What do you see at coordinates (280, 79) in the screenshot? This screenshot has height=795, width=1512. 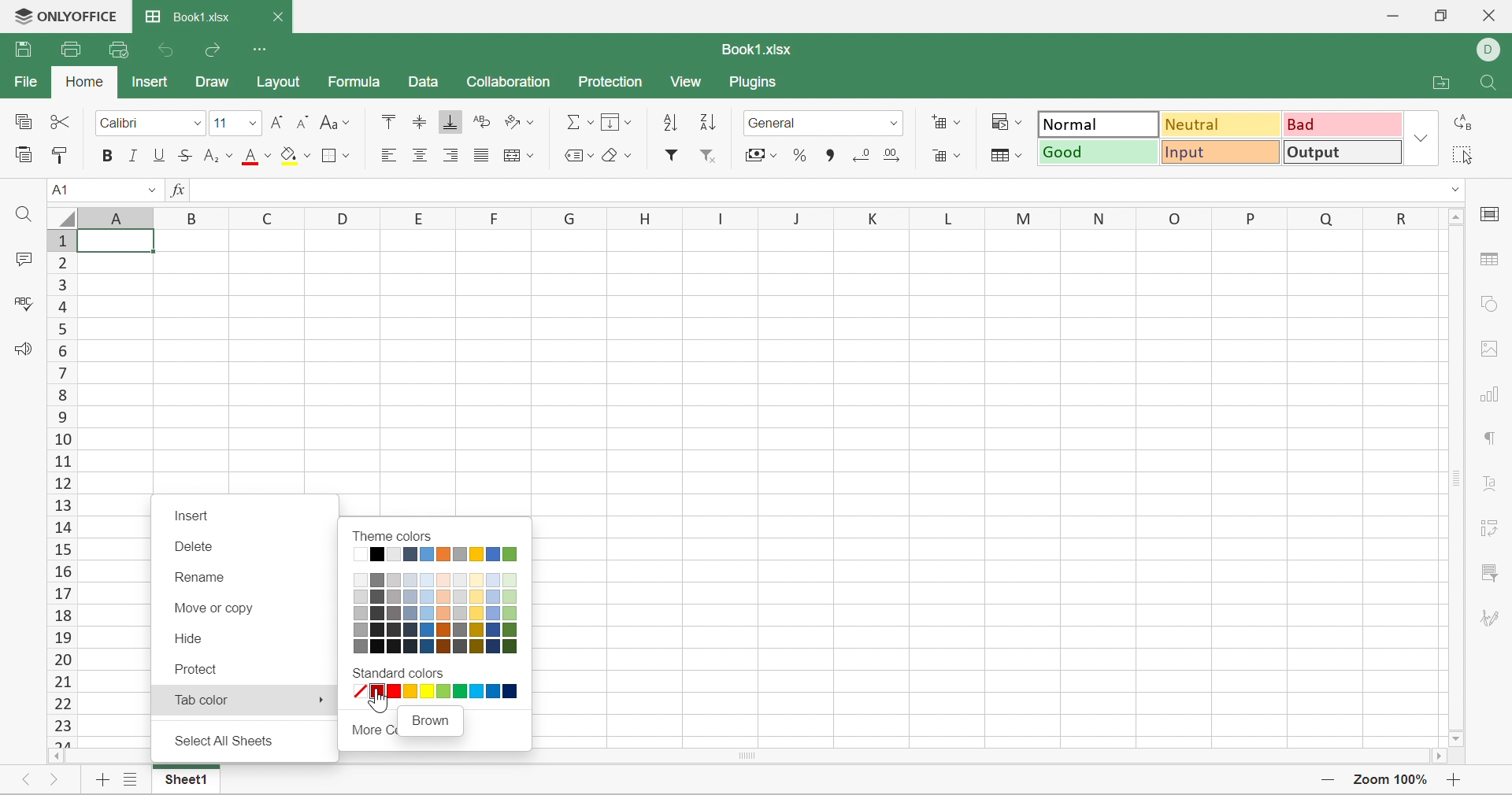 I see `Layout` at bounding box center [280, 79].